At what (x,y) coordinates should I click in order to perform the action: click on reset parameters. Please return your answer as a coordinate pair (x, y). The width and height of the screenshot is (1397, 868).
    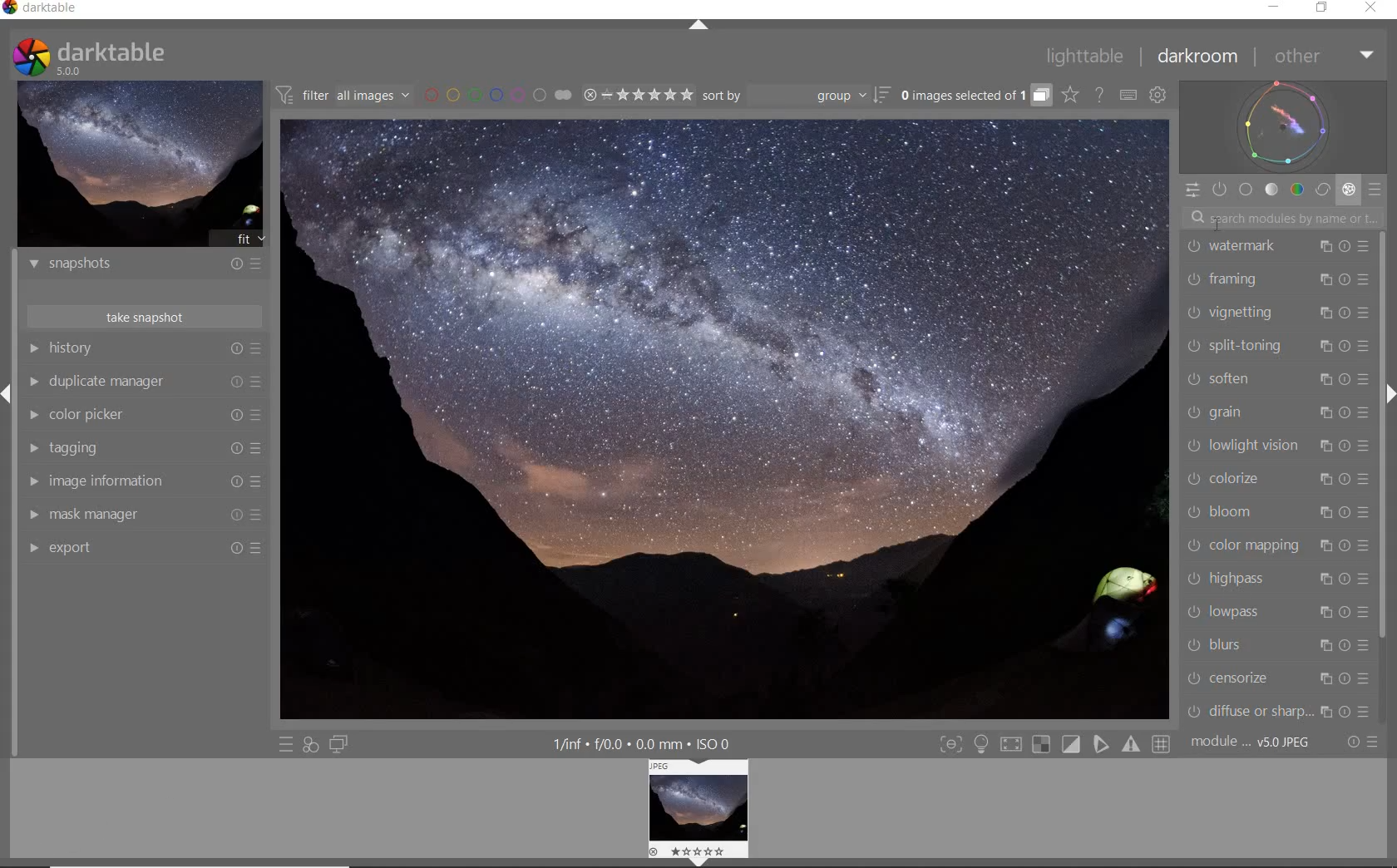
    Looking at the image, I should click on (1346, 313).